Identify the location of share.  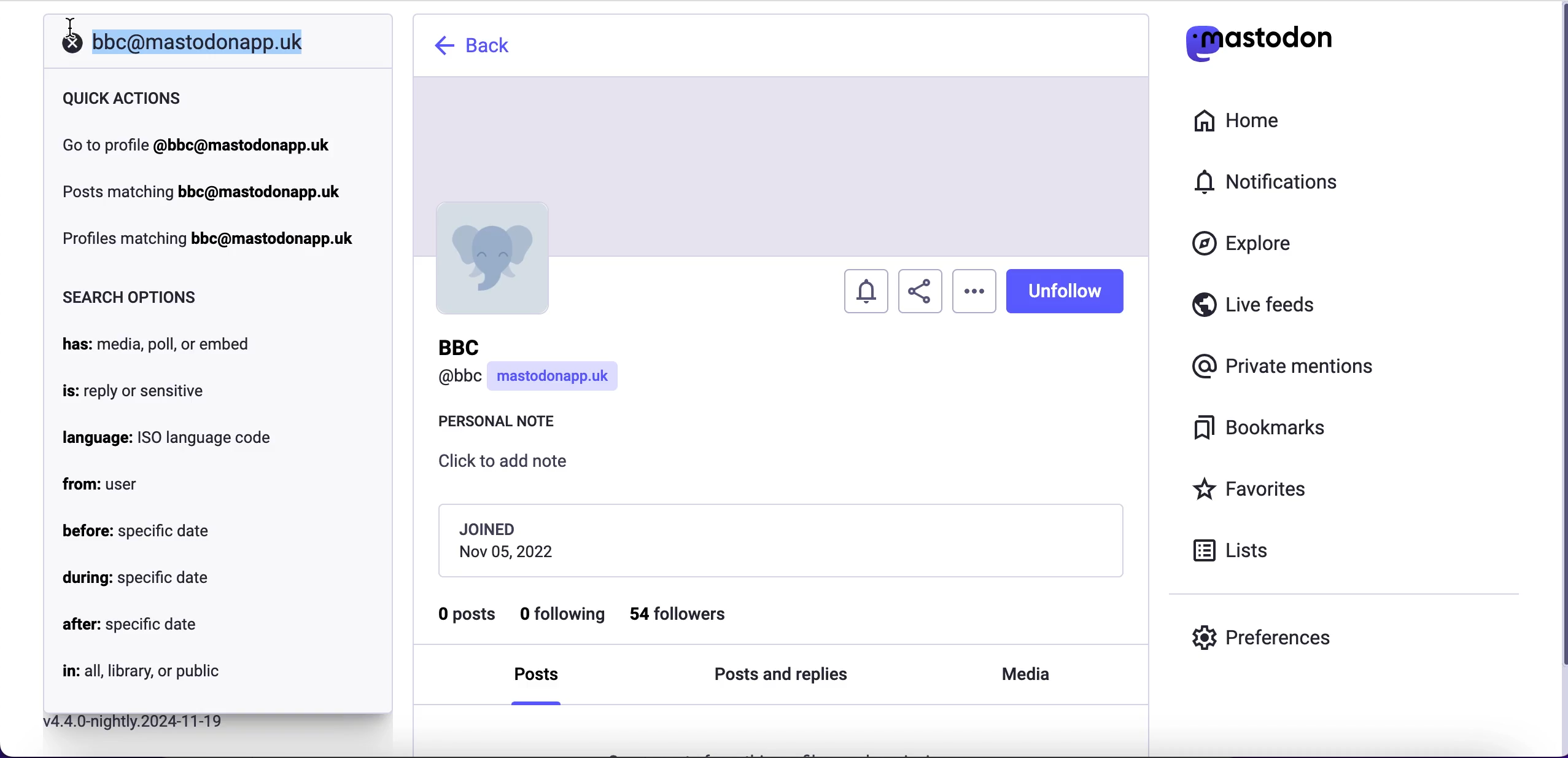
(920, 292).